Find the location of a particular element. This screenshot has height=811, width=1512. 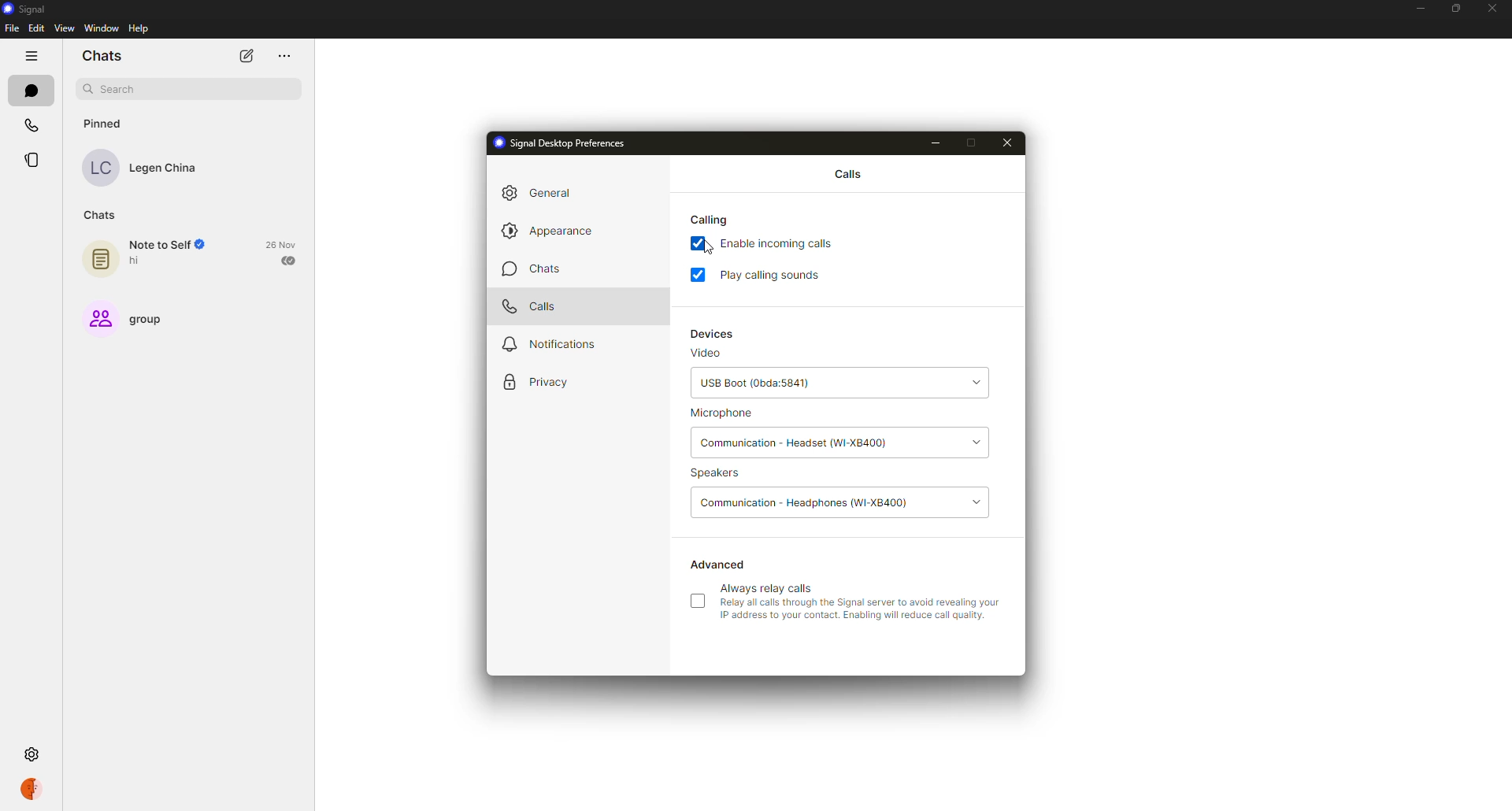

video is located at coordinates (711, 354).